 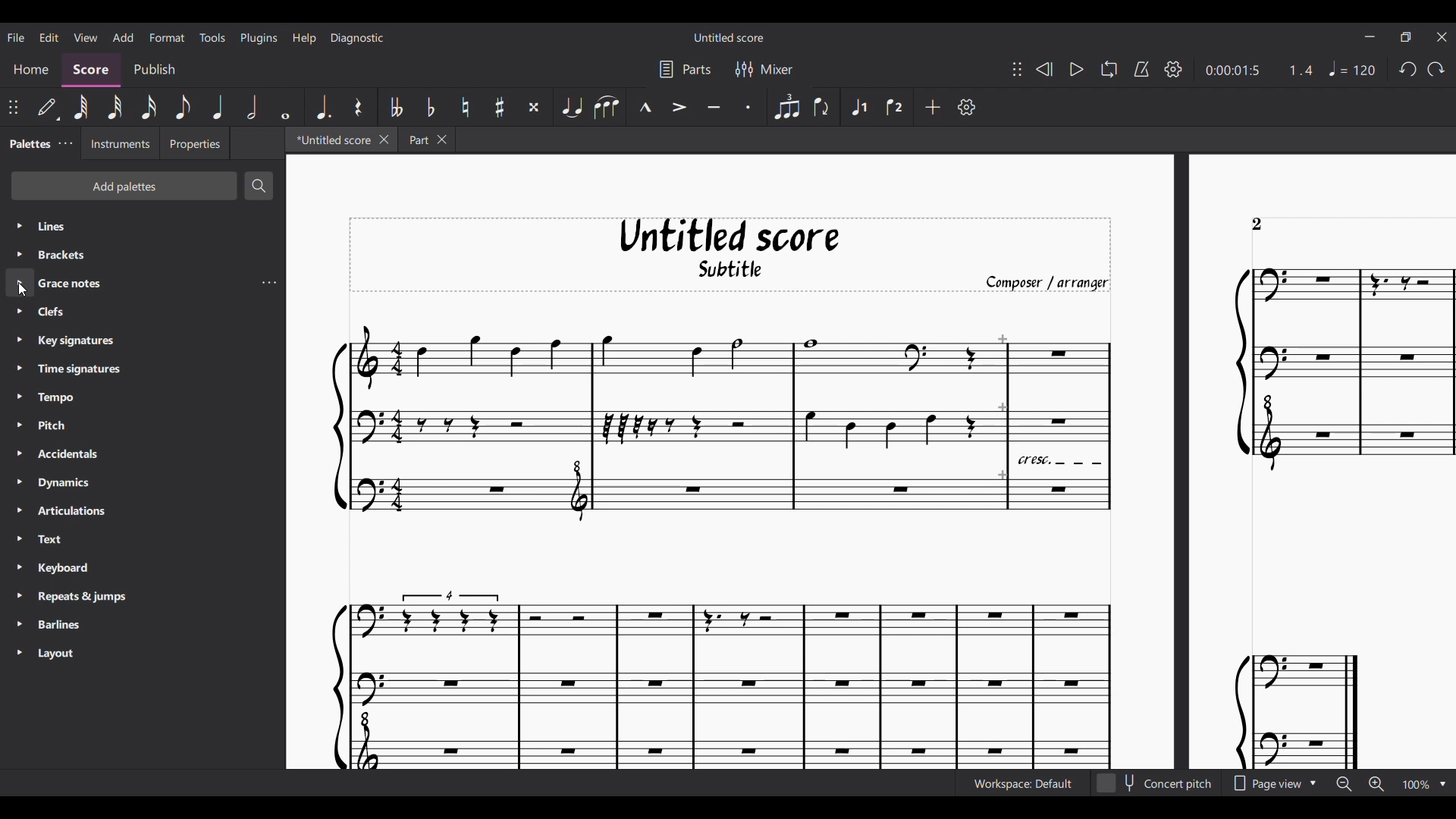 What do you see at coordinates (932, 107) in the screenshot?
I see `Add` at bounding box center [932, 107].